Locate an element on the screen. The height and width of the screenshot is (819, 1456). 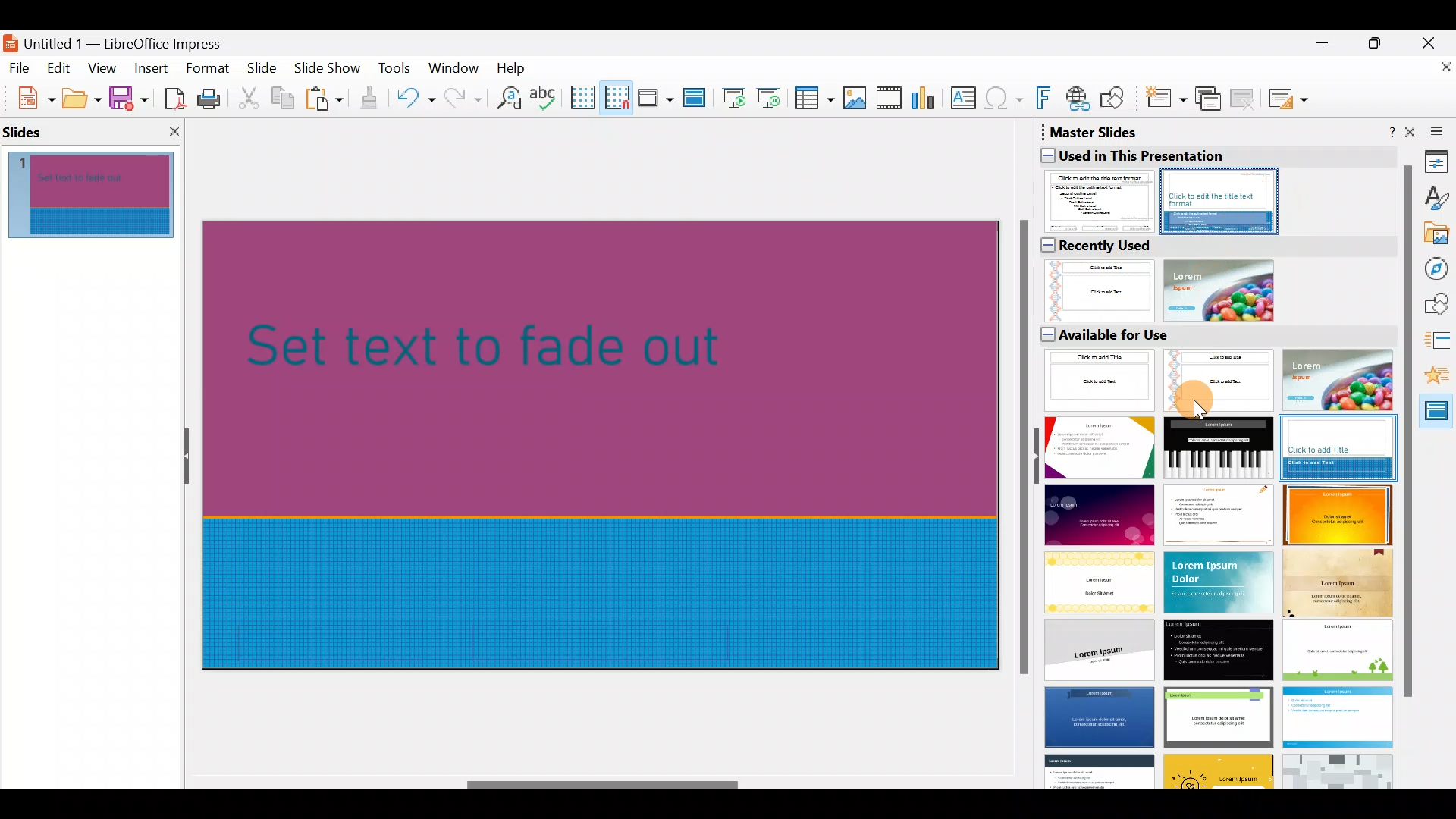
View is located at coordinates (103, 67).